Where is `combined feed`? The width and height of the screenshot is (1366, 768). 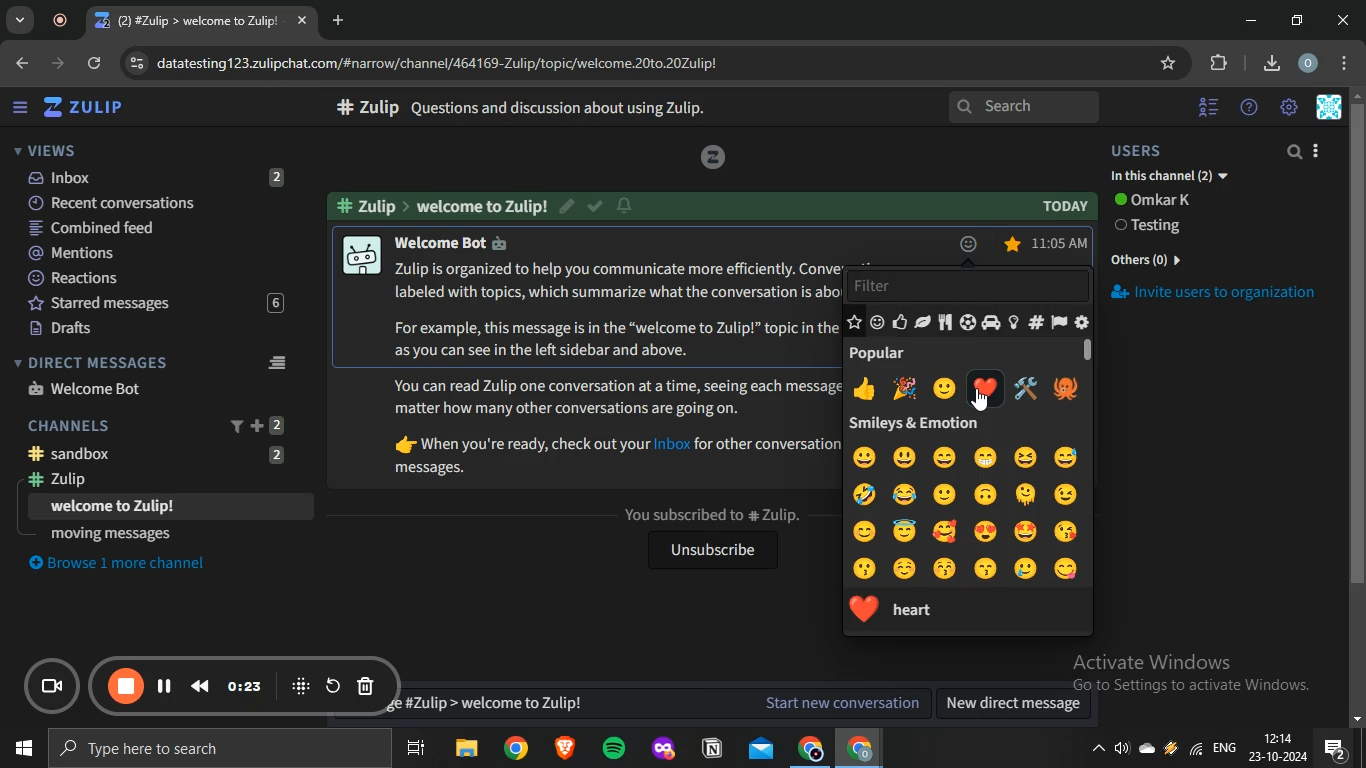
combined feed is located at coordinates (155, 229).